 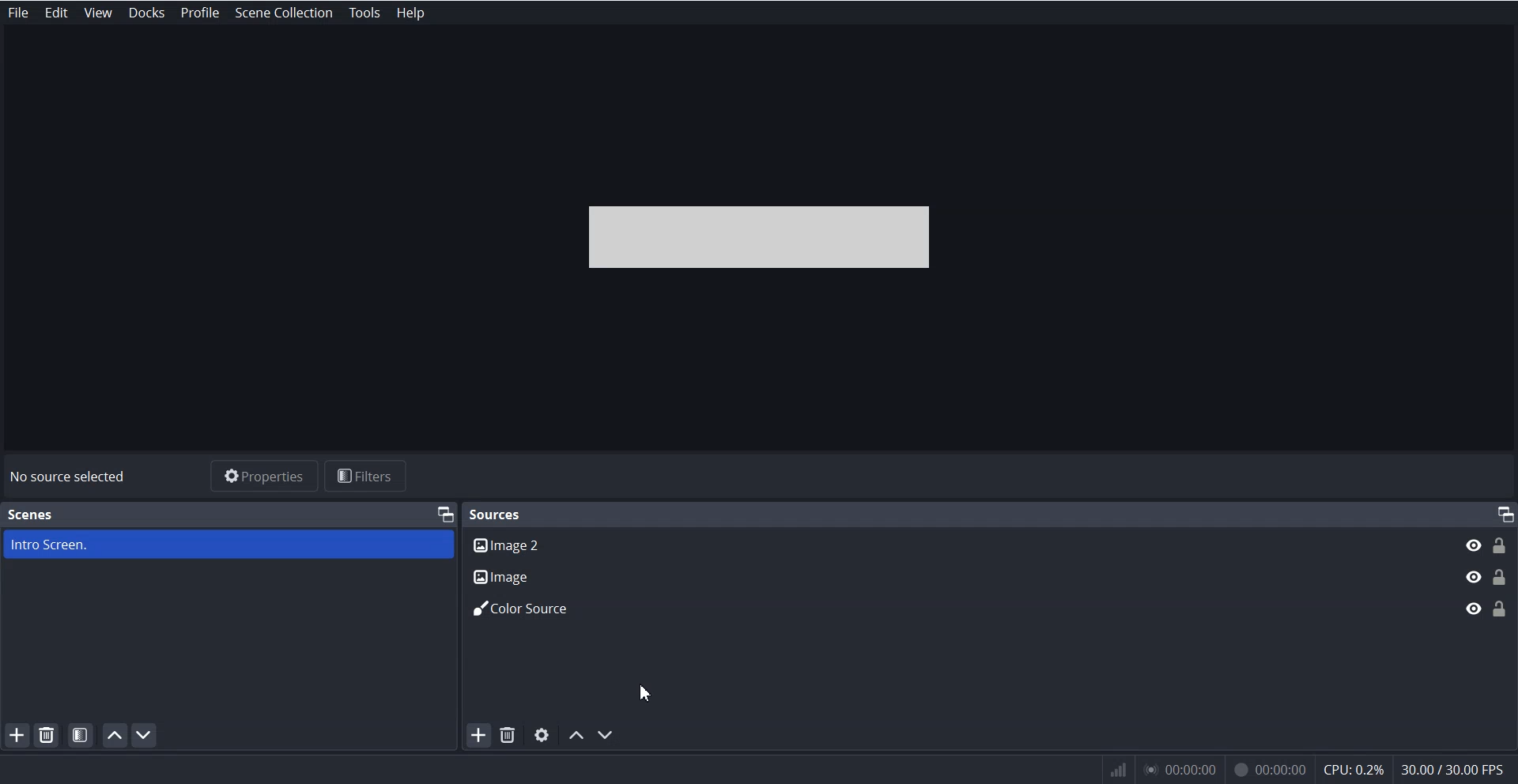 I want to click on Move Scene down, so click(x=147, y=735).